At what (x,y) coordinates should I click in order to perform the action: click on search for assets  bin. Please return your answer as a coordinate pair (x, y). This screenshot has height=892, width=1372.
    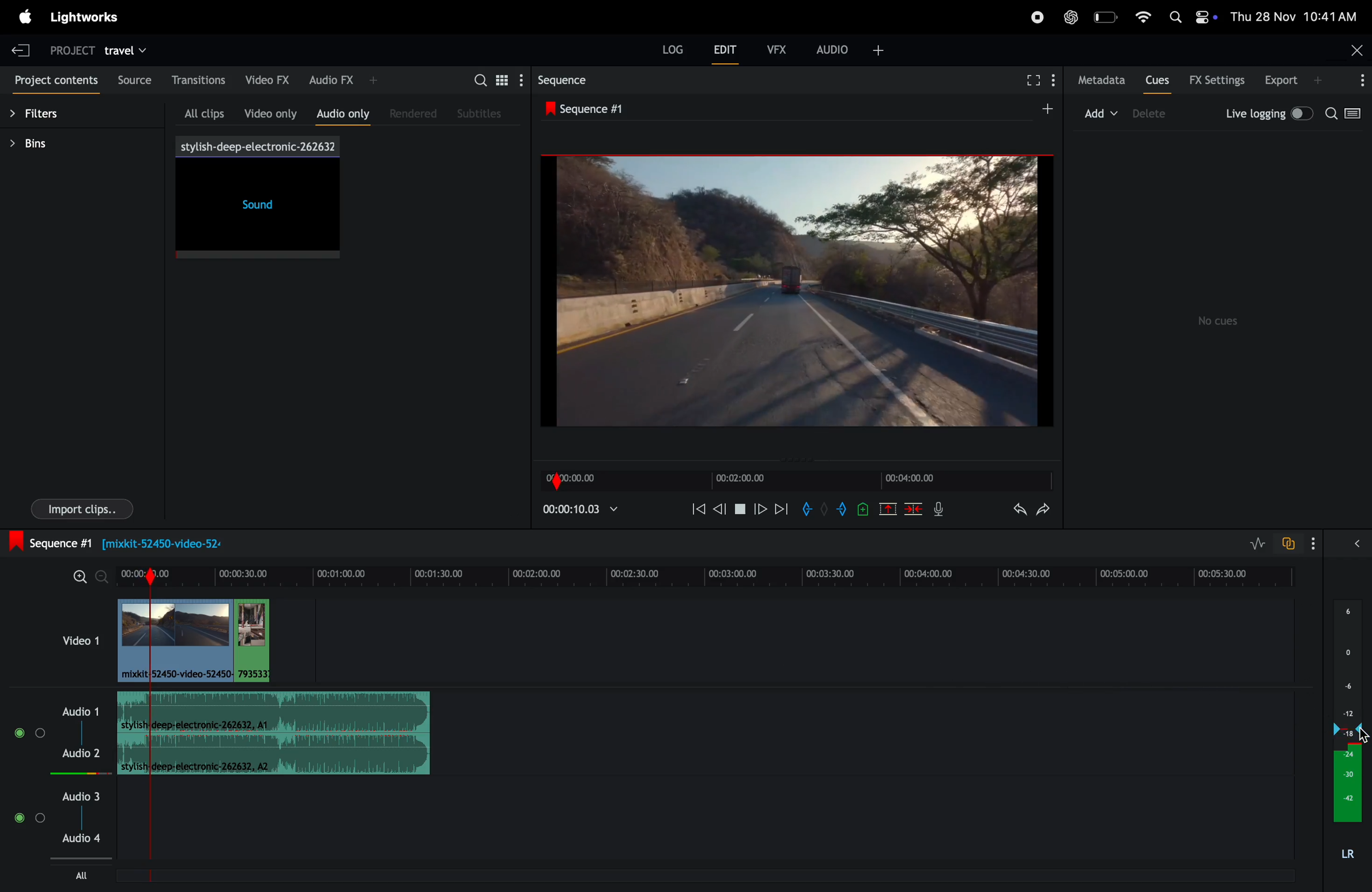
    Looking at the image, I should click on (495, 80).